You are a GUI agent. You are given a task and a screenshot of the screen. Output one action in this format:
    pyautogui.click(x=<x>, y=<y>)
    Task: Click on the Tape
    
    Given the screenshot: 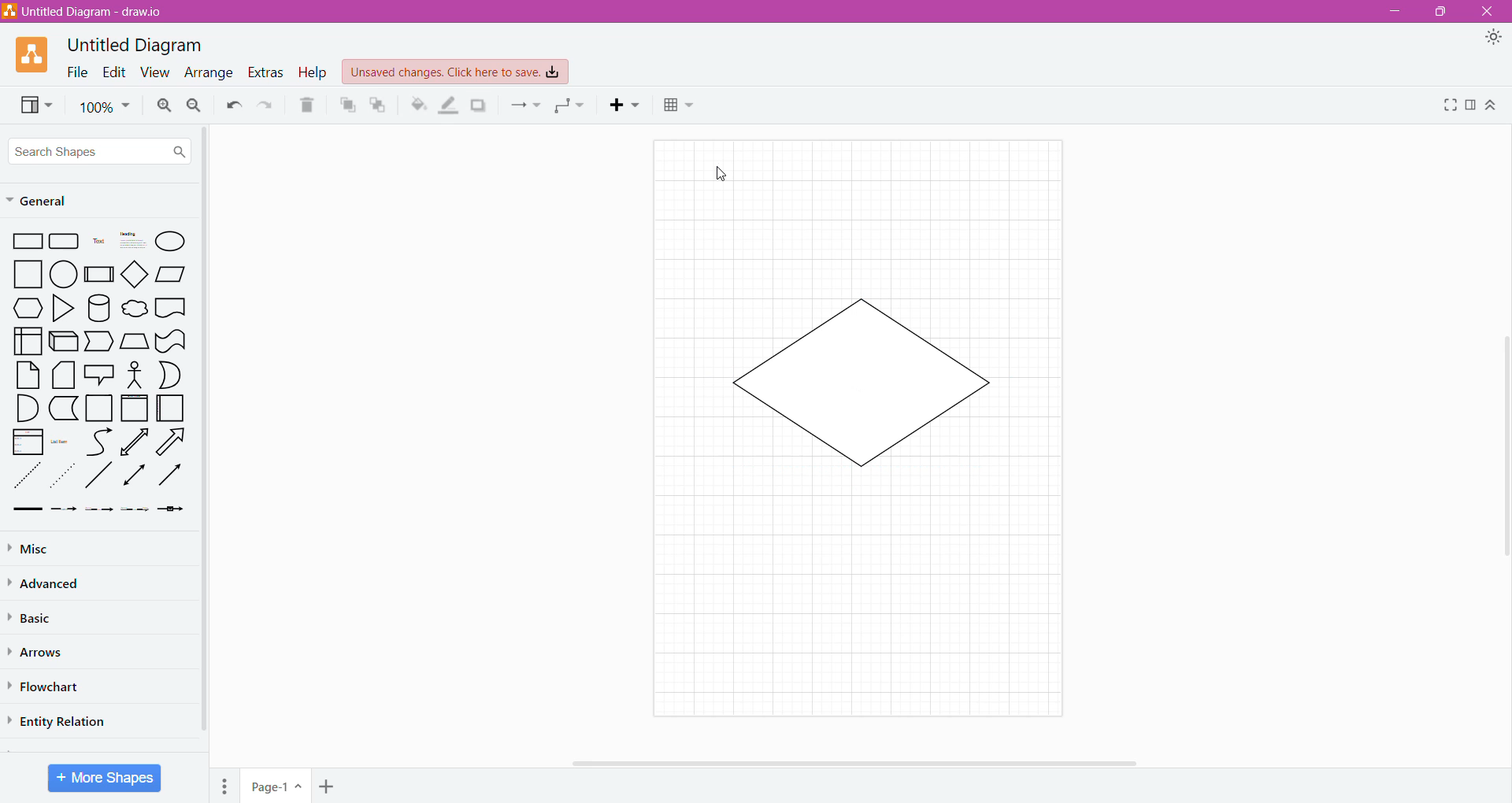 What is the action you would take?
    pyautogui.click(x=171, y=342)
    